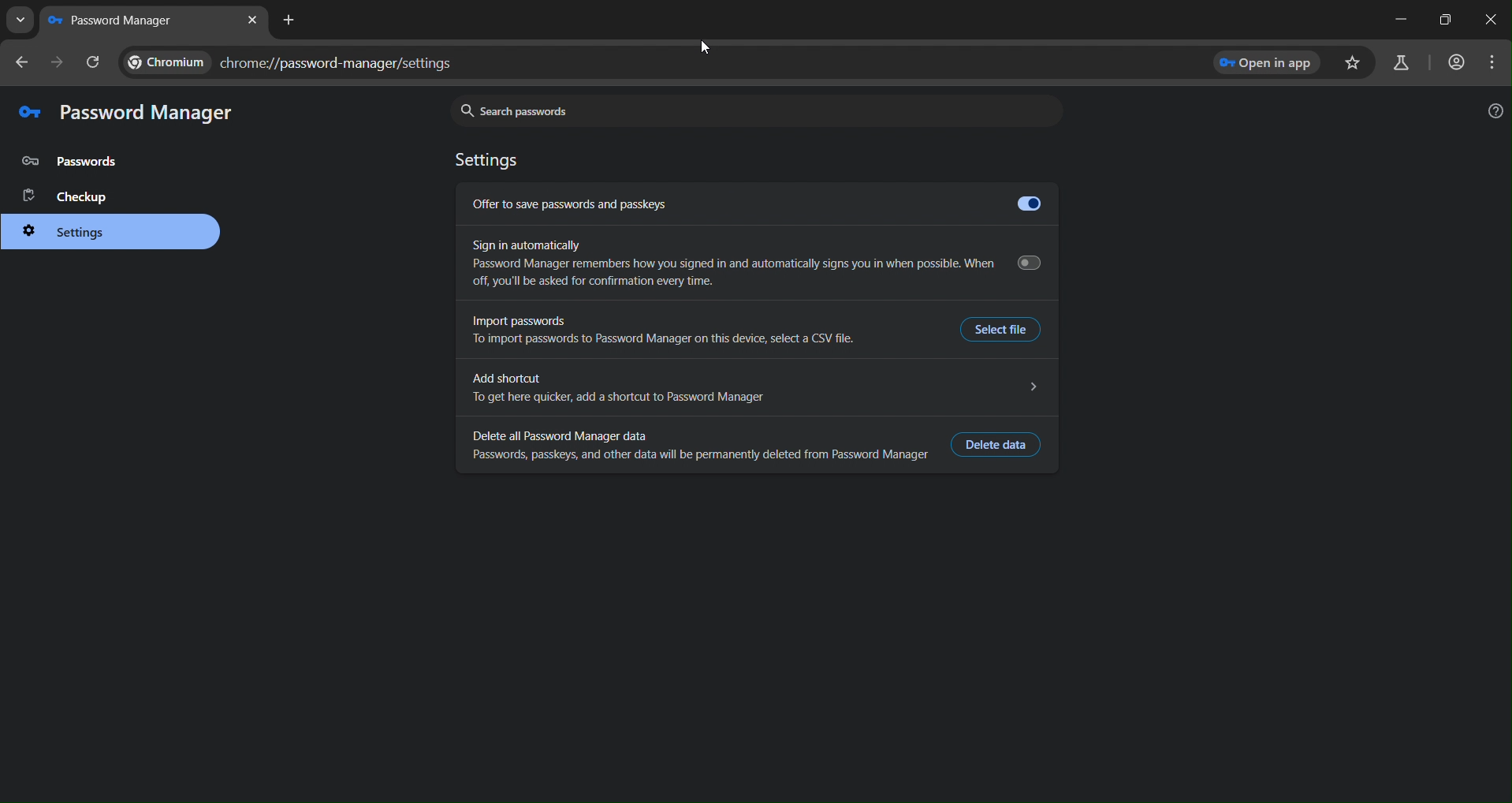 The image size is (1512, 803). What do you see at coordinates (664, 332) in the screenshot?
I see `Import passwords
To import passwords to Password Manager on this device, select a CSV file.` at bounding box center [664, 332].